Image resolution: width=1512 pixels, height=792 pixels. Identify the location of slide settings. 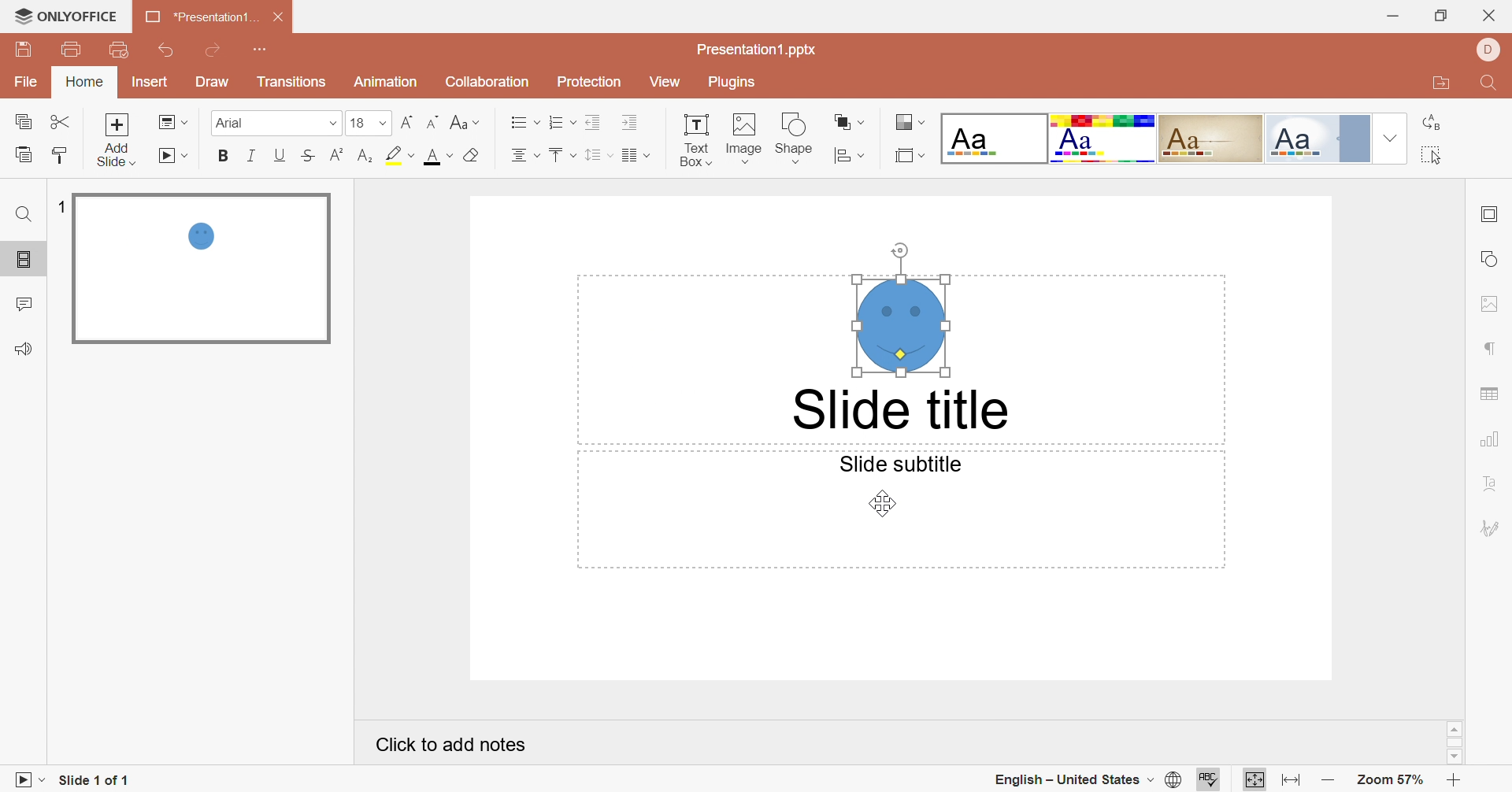
(1493, 214).